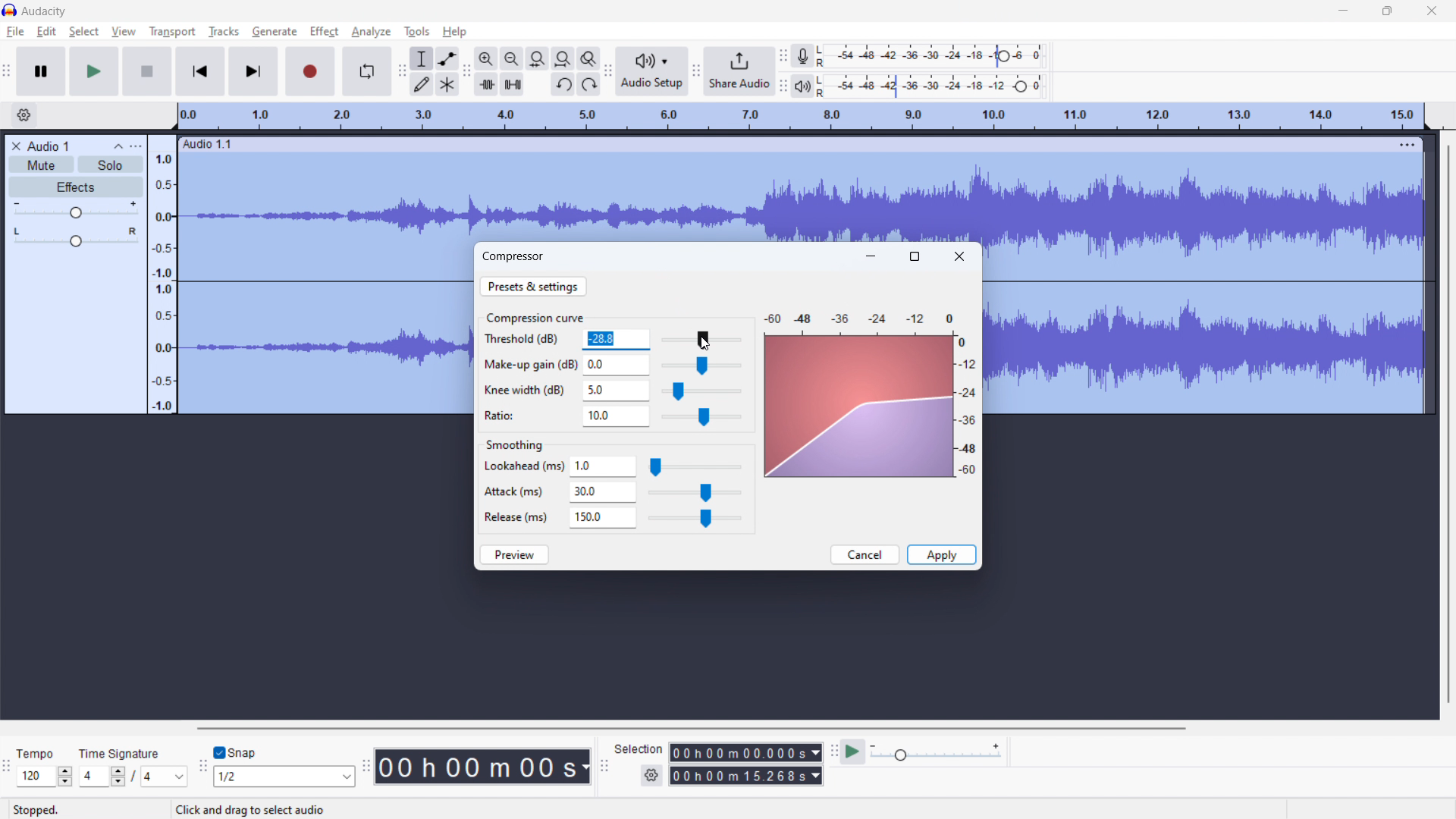 This screenshot has height=819, width=1456. I want to click on curve preview, so click(856, 408).